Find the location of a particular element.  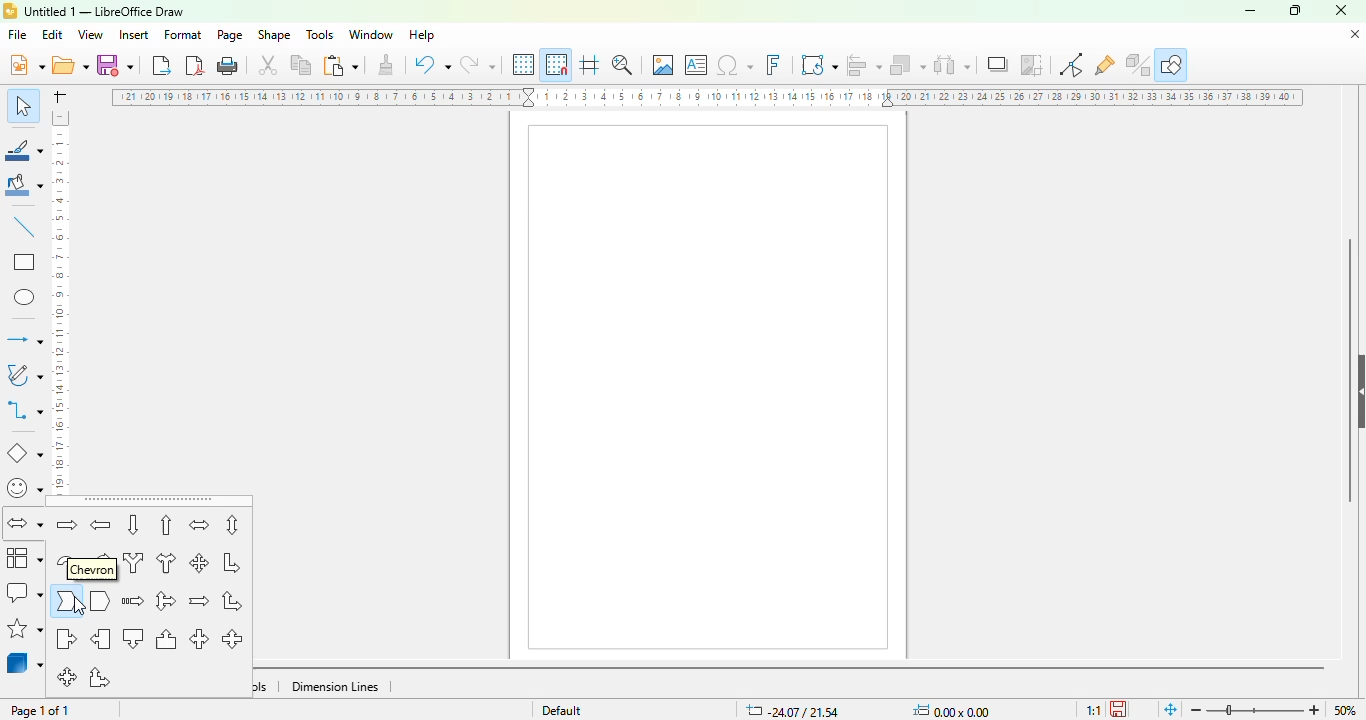

file is located at coordinates (17, 34).